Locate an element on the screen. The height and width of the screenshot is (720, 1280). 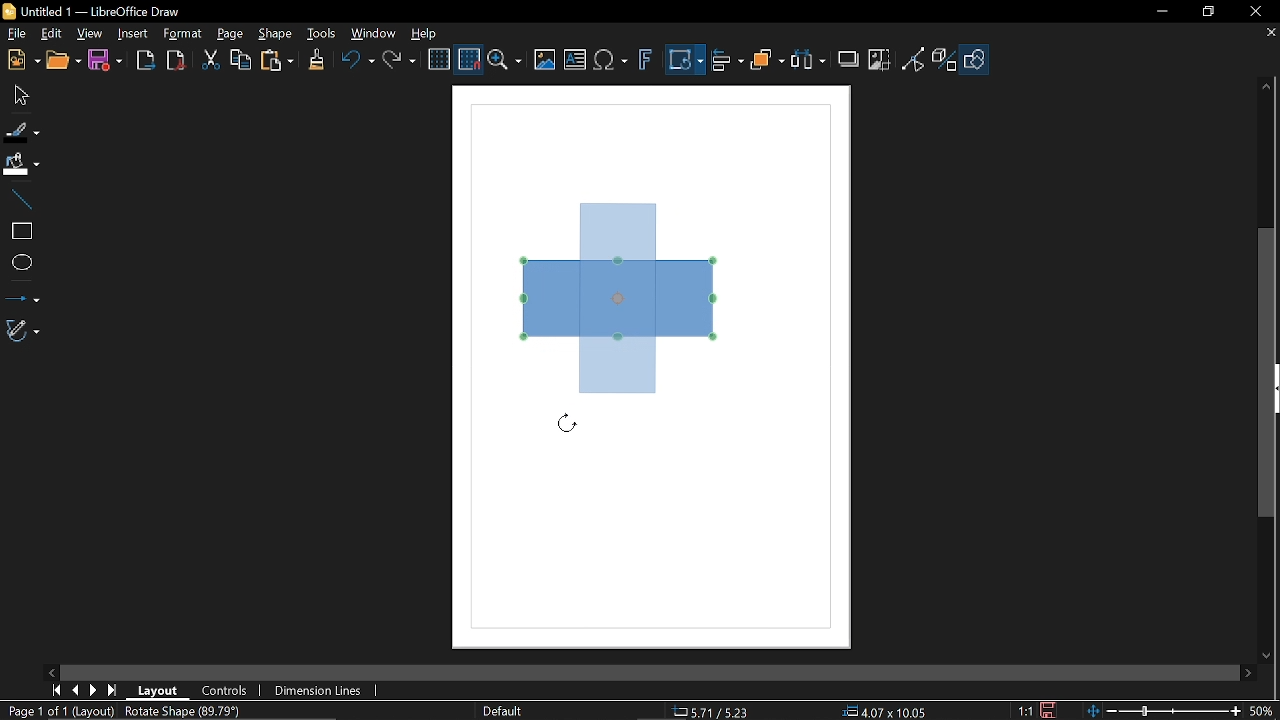
Insert text is located at coordinates (576, 61).